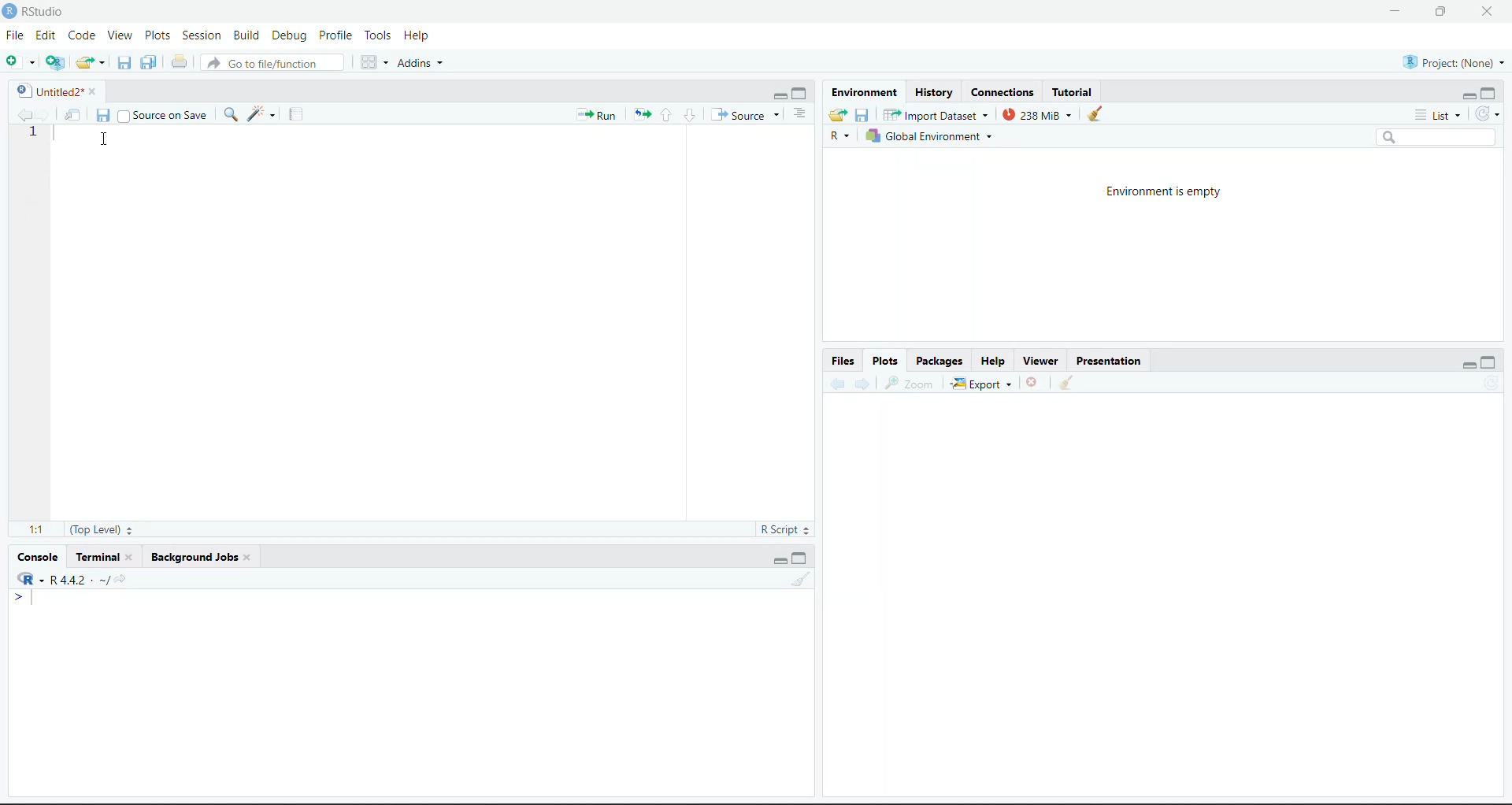 Image resolution: width=1512 pixels, height=805 pixels. I want to click on Terminal, so click(97, 557).